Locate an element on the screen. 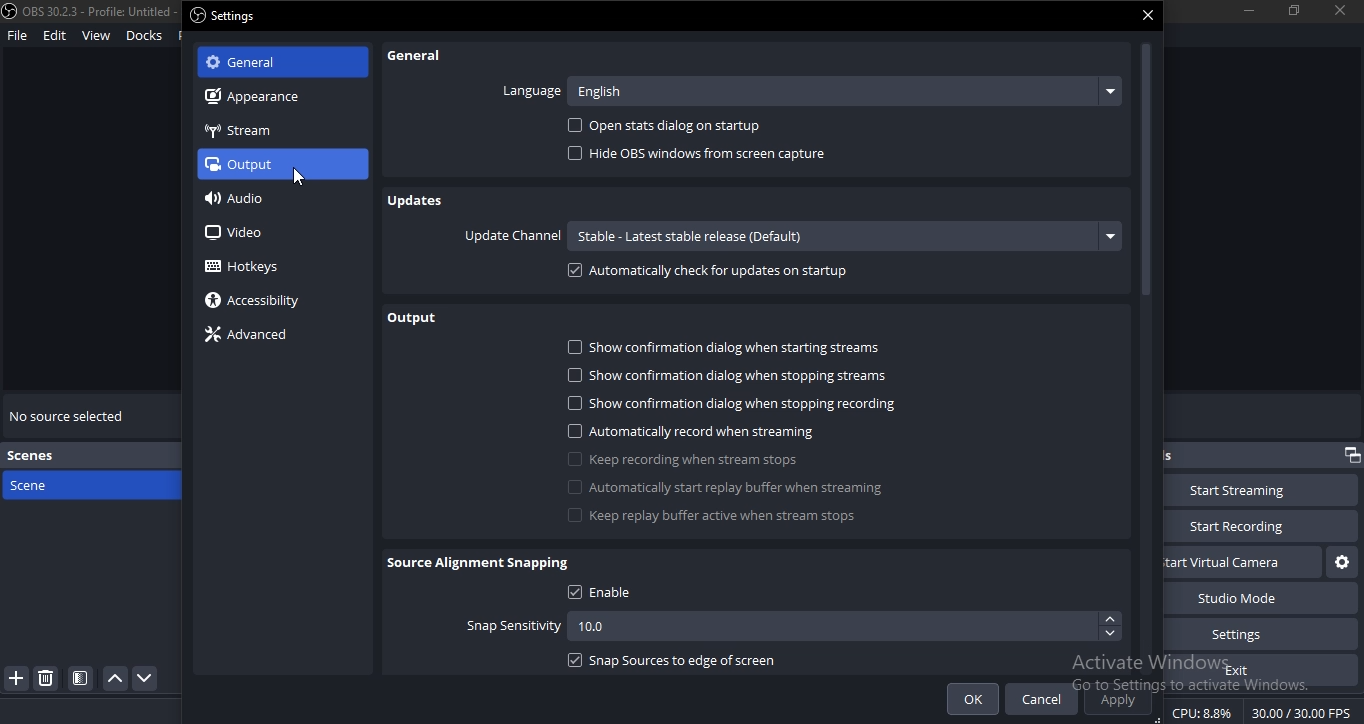  automatically record when streaming is located at coordinates (708, 432).